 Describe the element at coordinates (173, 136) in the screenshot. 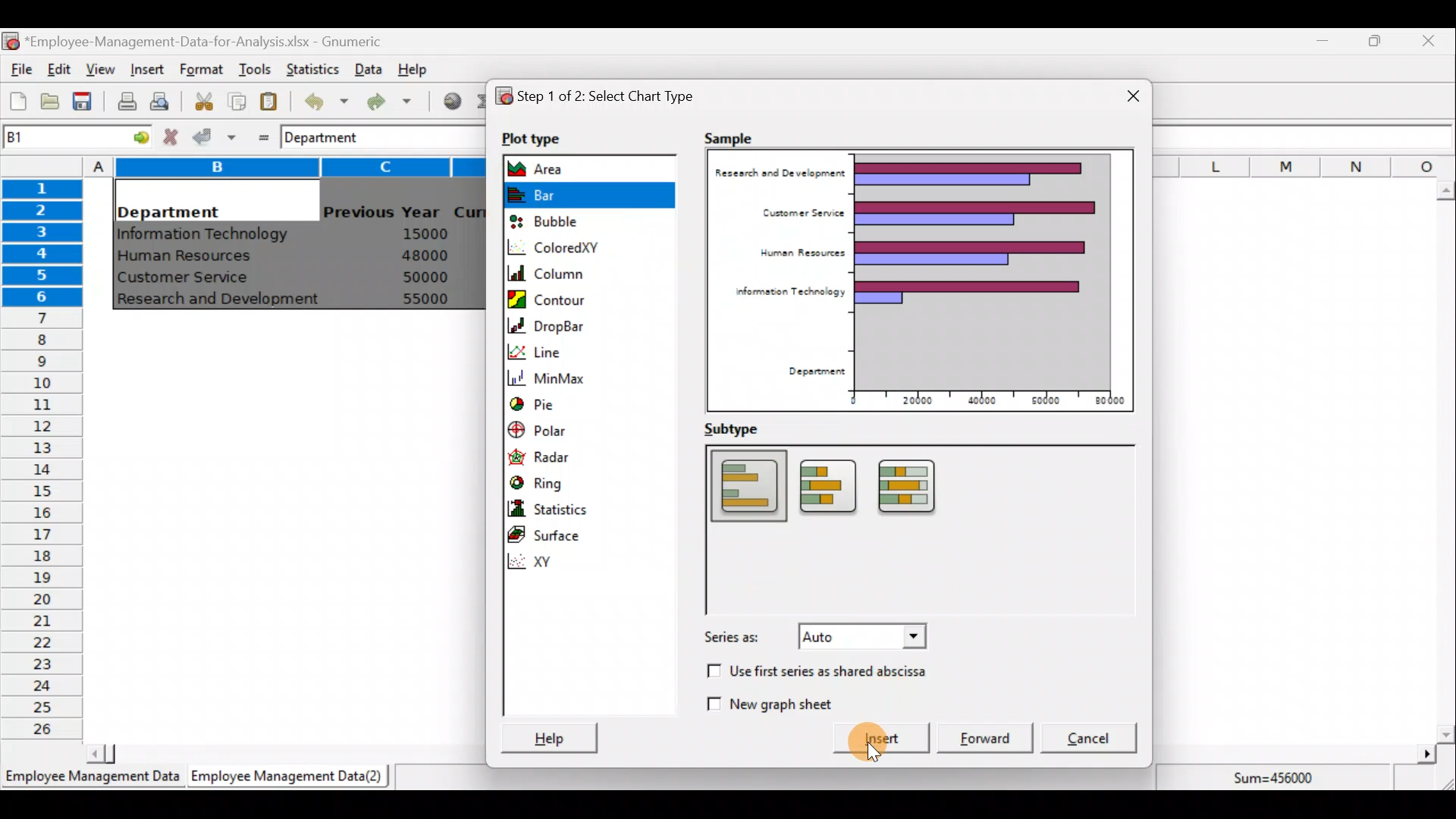

I see `Cancel change` at that location.